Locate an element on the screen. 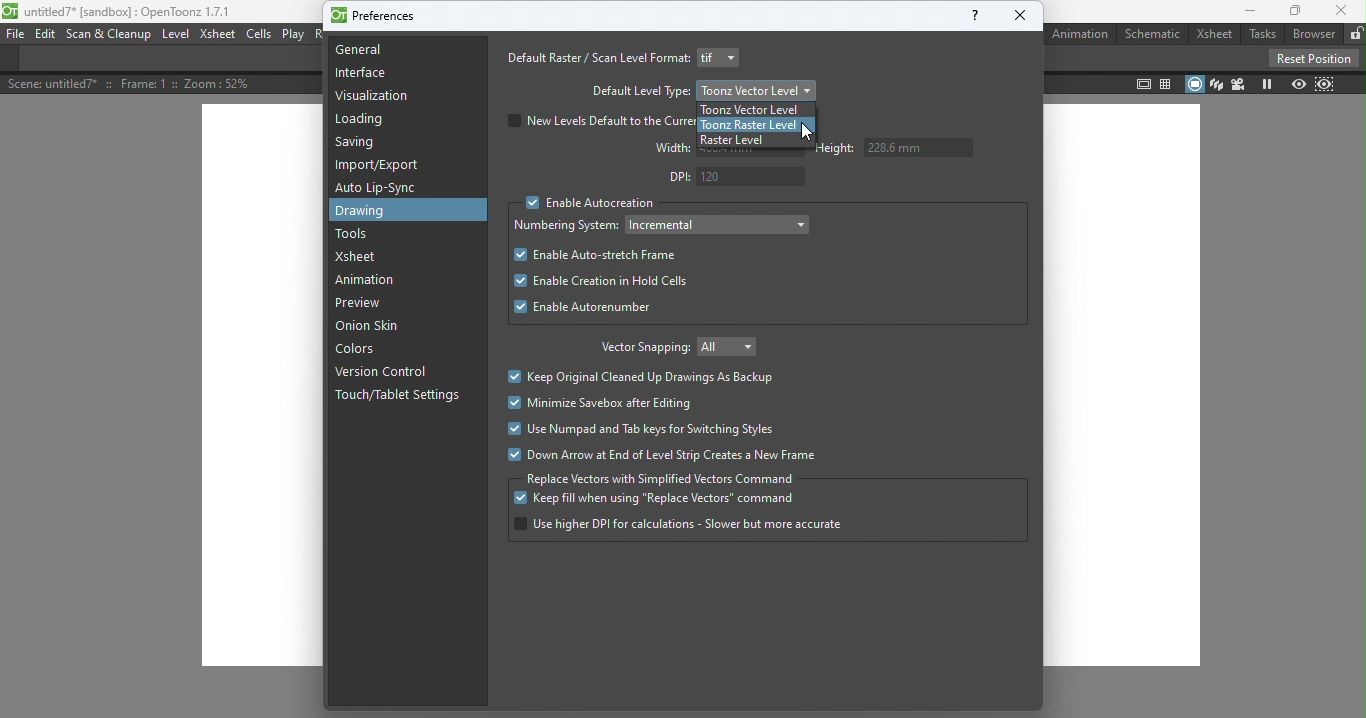 The width and height of the screenshot is (1366, 718). Toonz vector level is located at coordinates (756, 109).